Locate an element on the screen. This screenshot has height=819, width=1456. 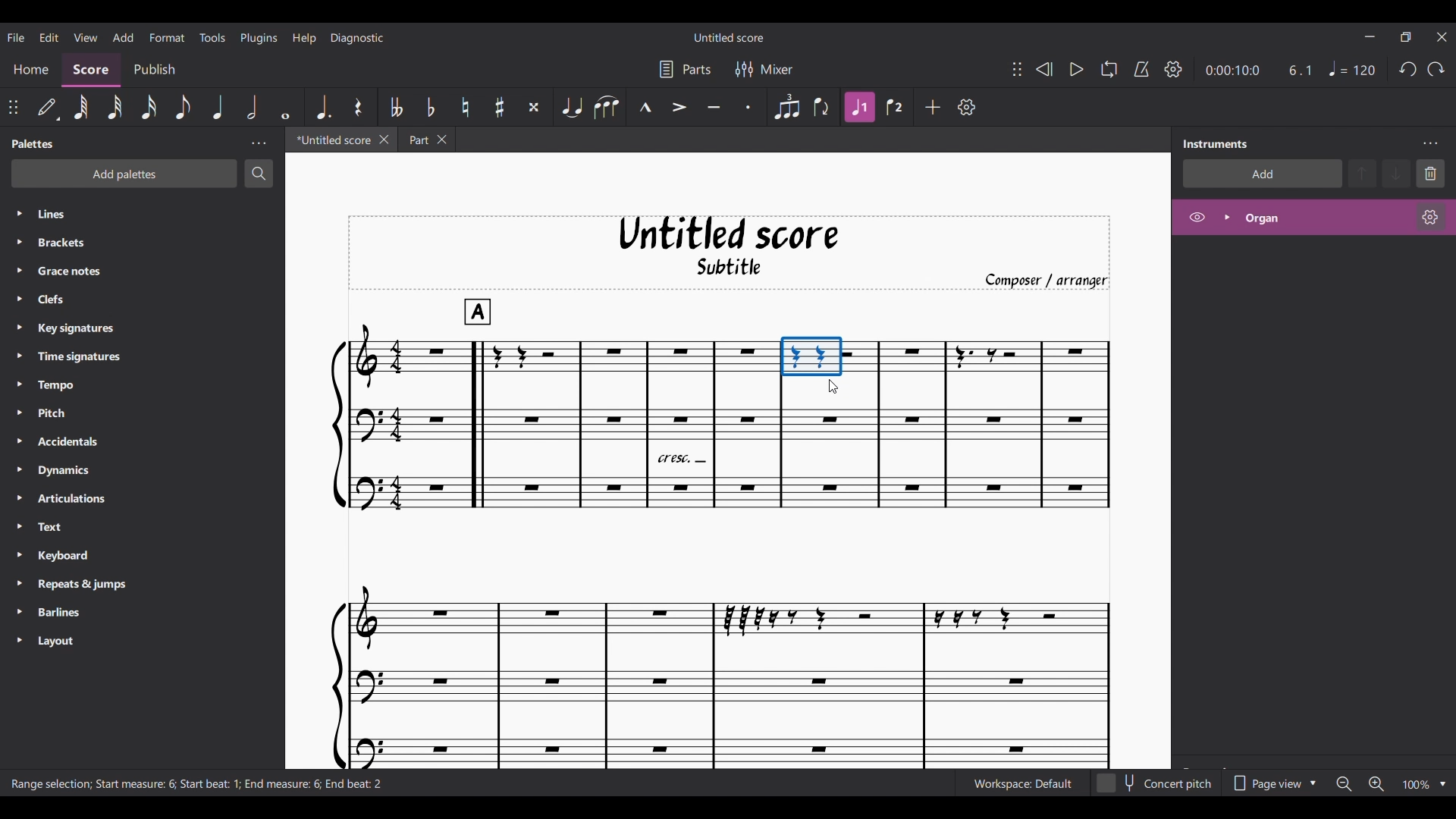
Add instrument is located at coordinates (1263, 173).